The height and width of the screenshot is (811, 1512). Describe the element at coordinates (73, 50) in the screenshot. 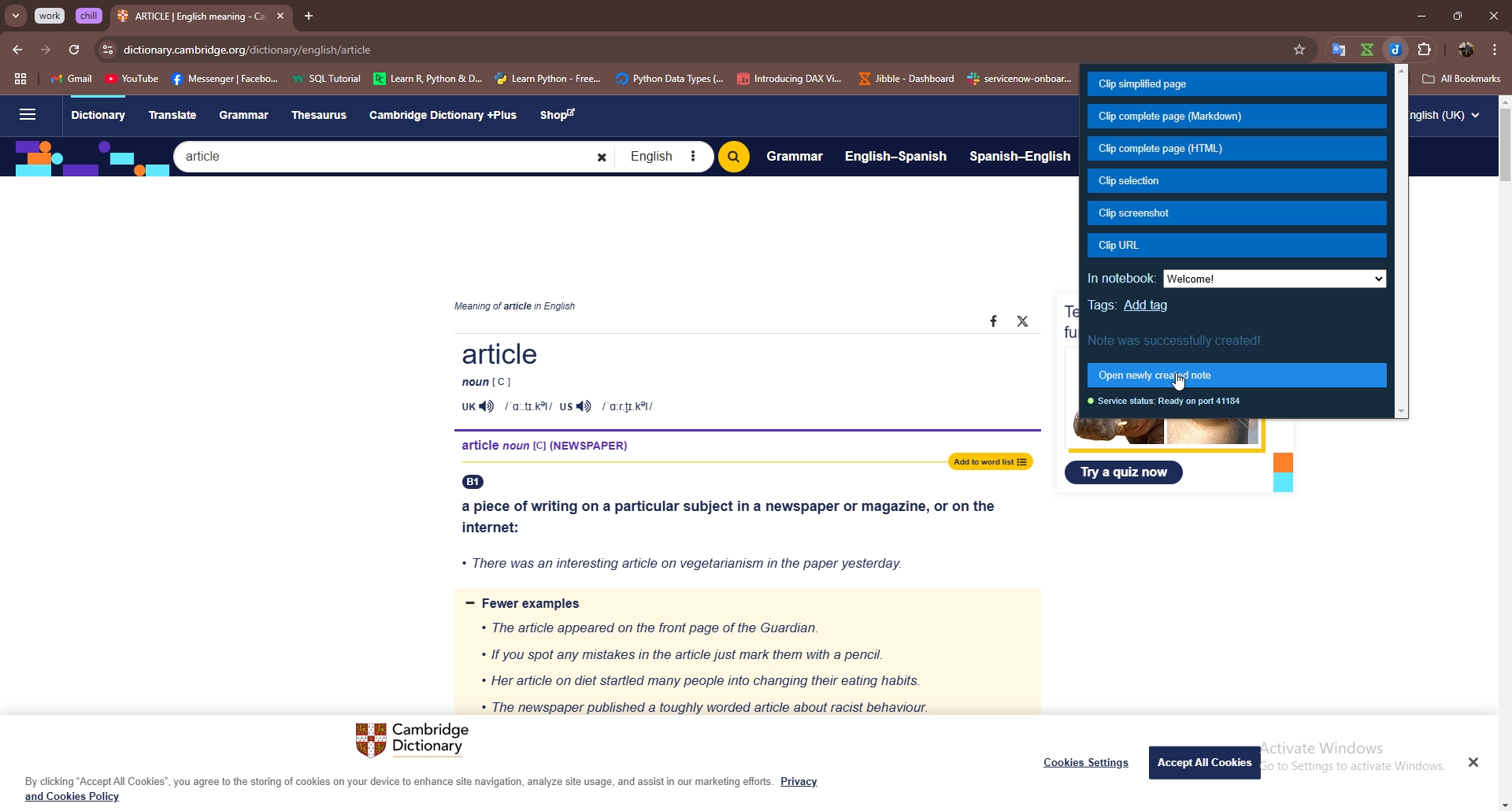

I see `refresh` at that location.